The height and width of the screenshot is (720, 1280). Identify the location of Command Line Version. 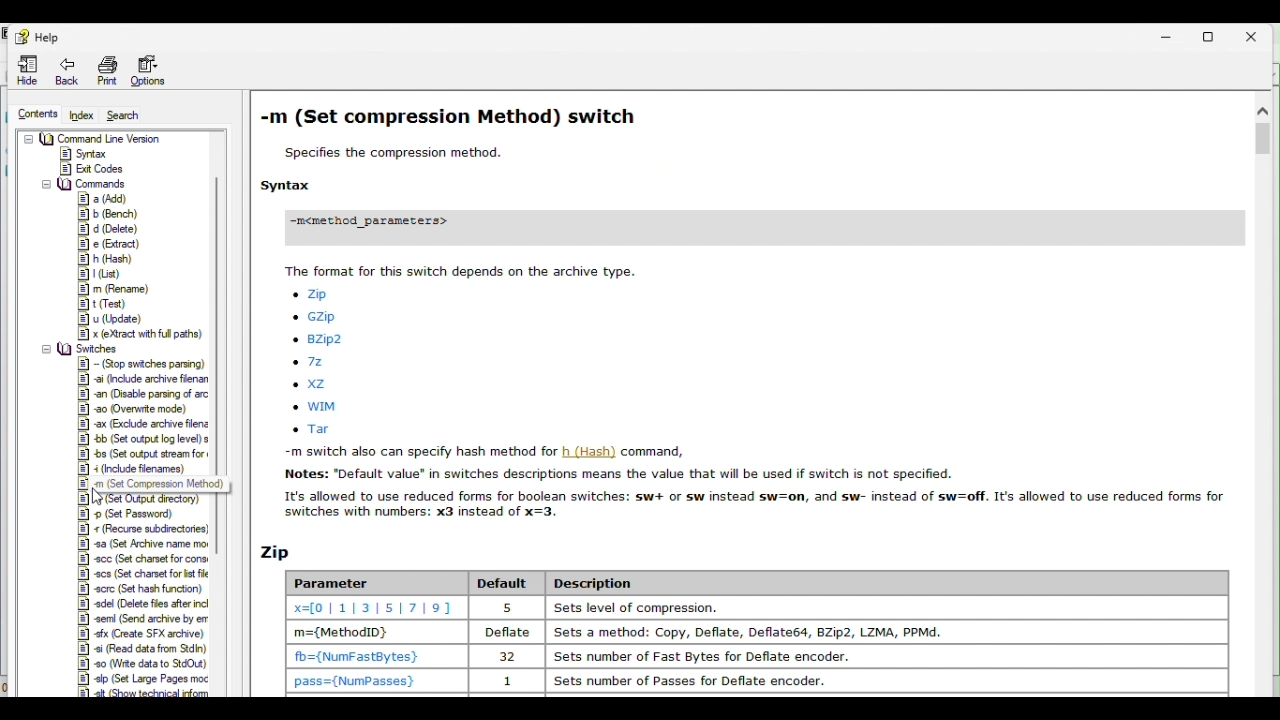
(97, 138).